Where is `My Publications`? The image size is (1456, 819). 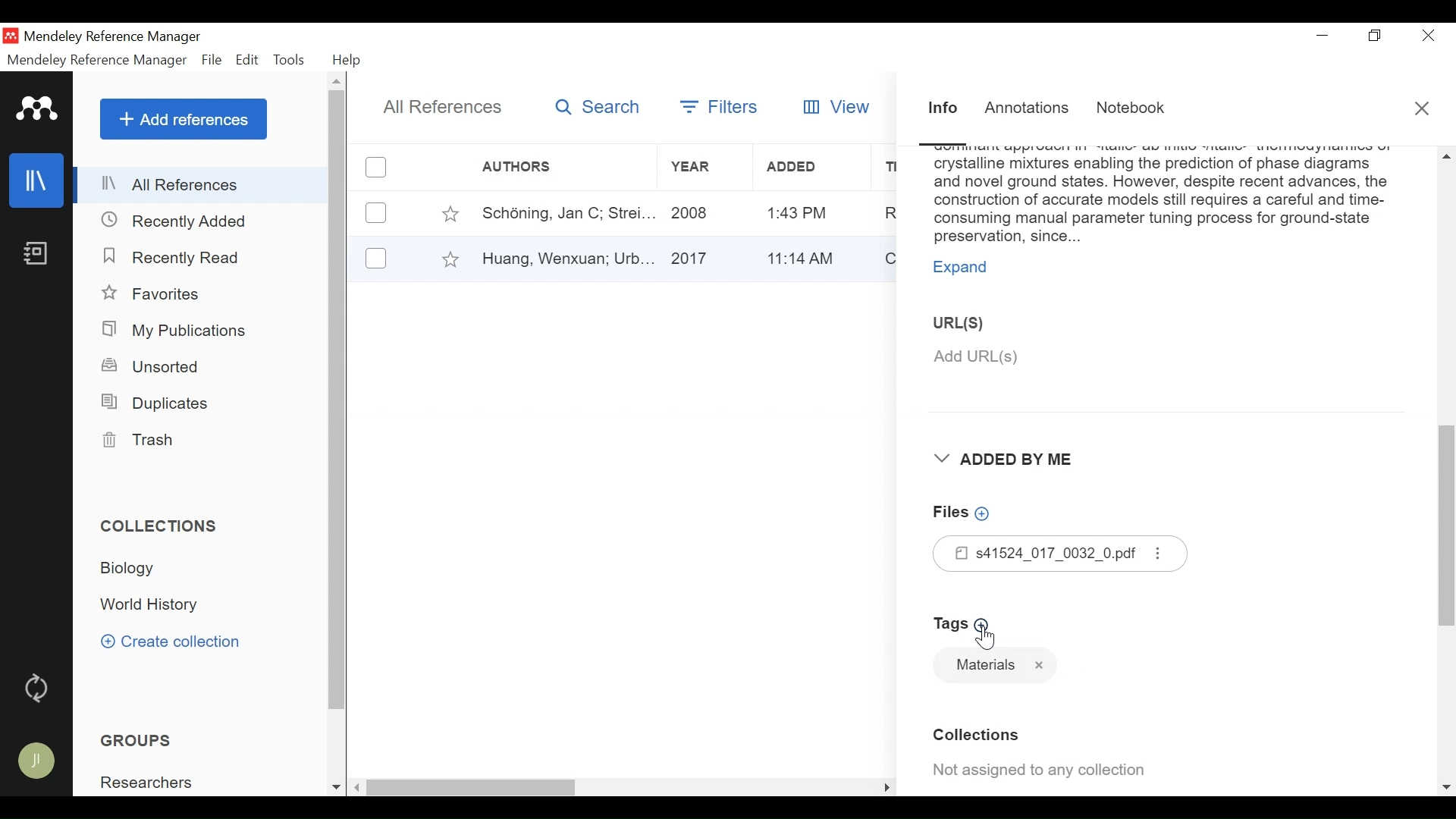
My Publications is located at coordinates (176, 331).